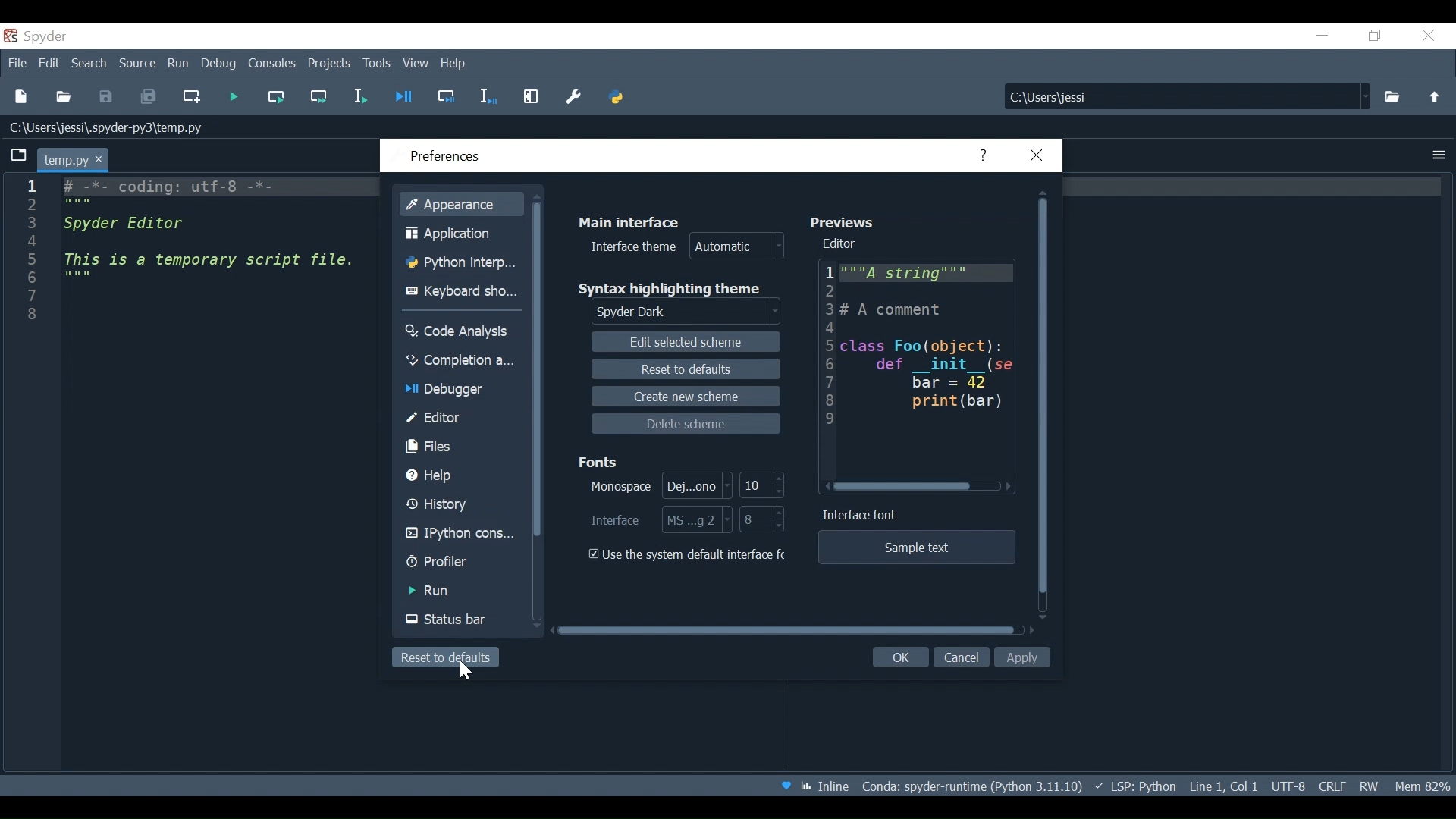  I want to click on Select Syntax highlighting theme, so click(686, 313).